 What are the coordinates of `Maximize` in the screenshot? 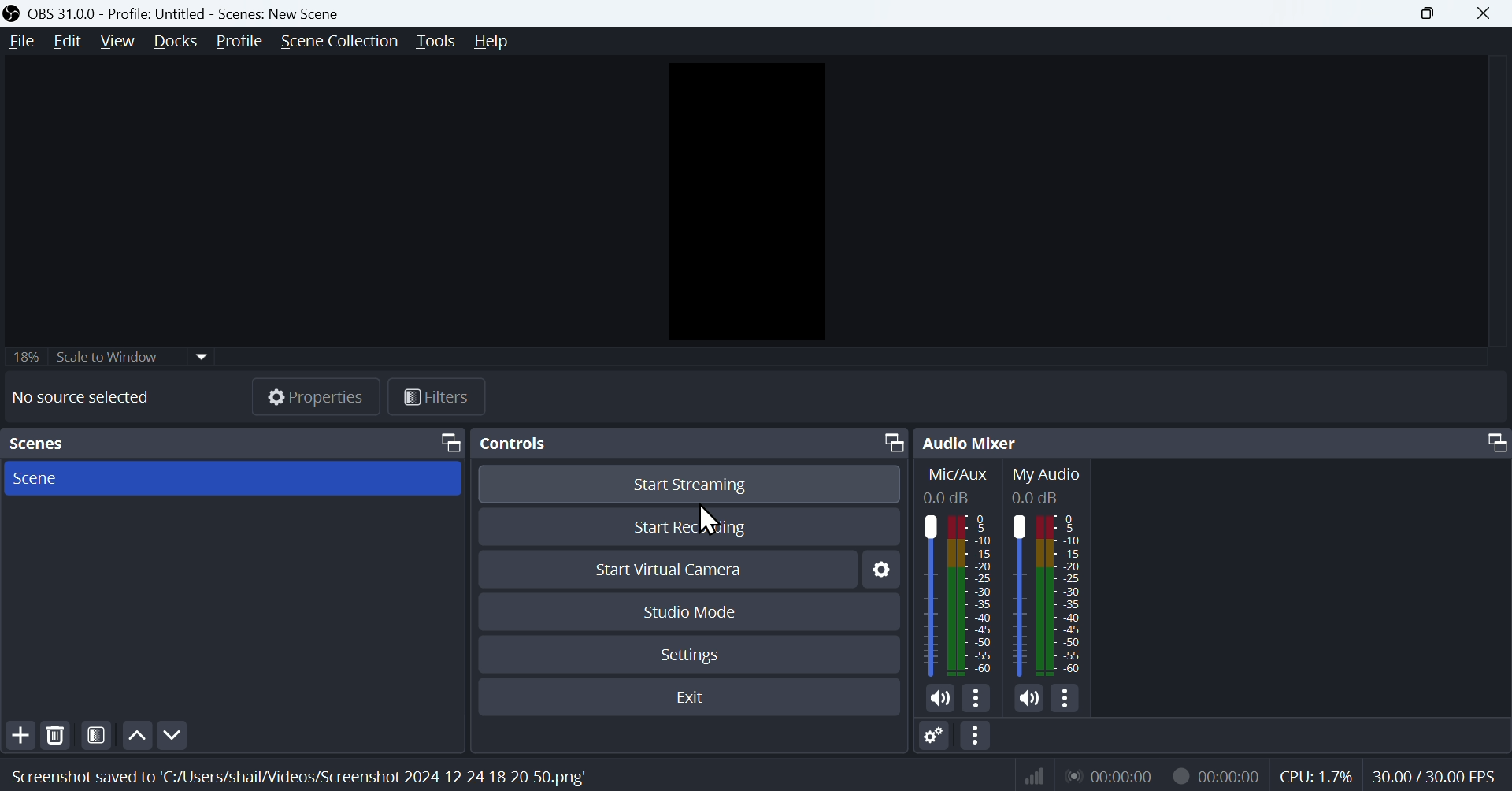 It's located at (1429, 12).